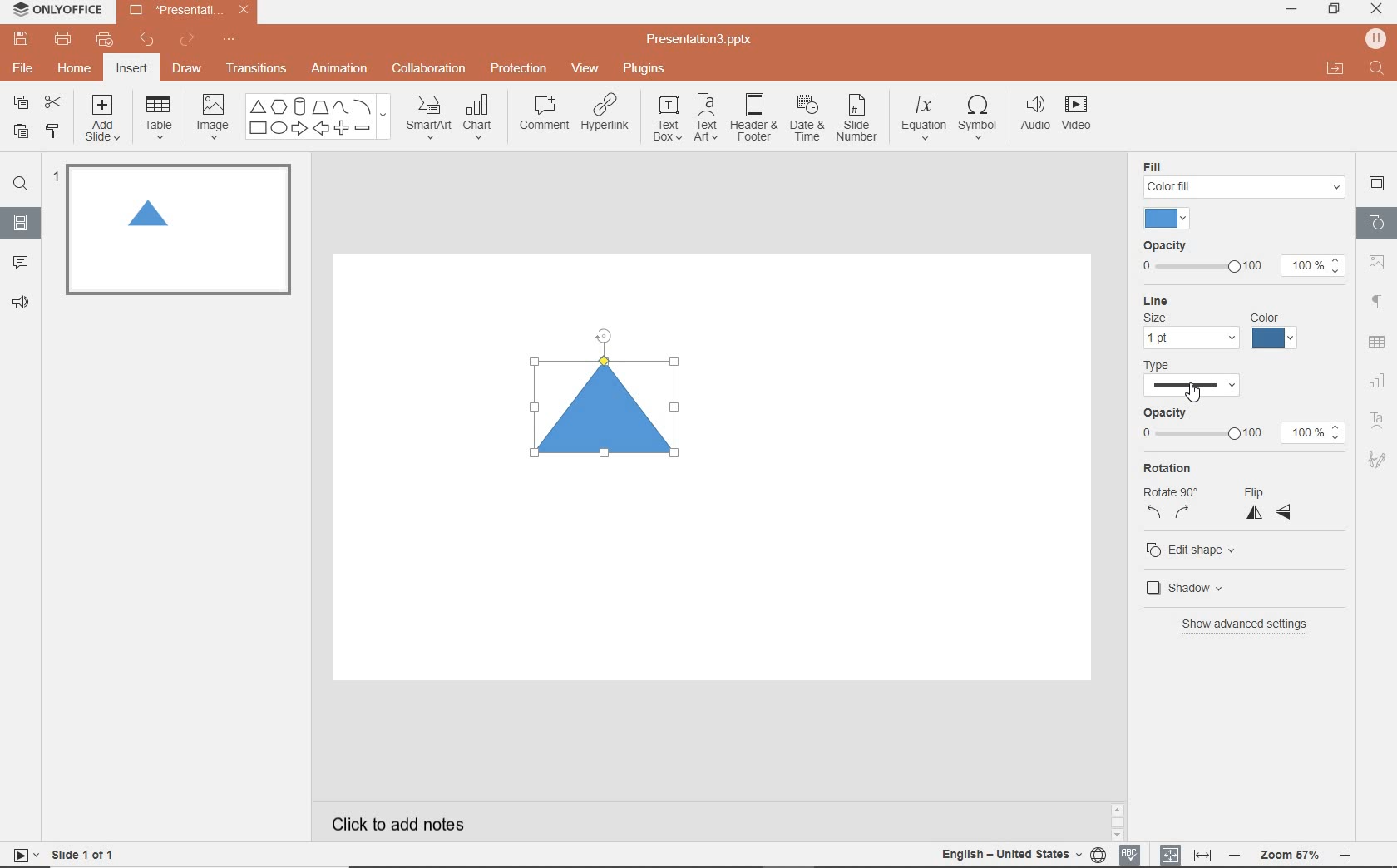  What do you see at coordinates (338, 70) in the screenshot?
I see `ANIMATION` at bounding box center [338, 70].